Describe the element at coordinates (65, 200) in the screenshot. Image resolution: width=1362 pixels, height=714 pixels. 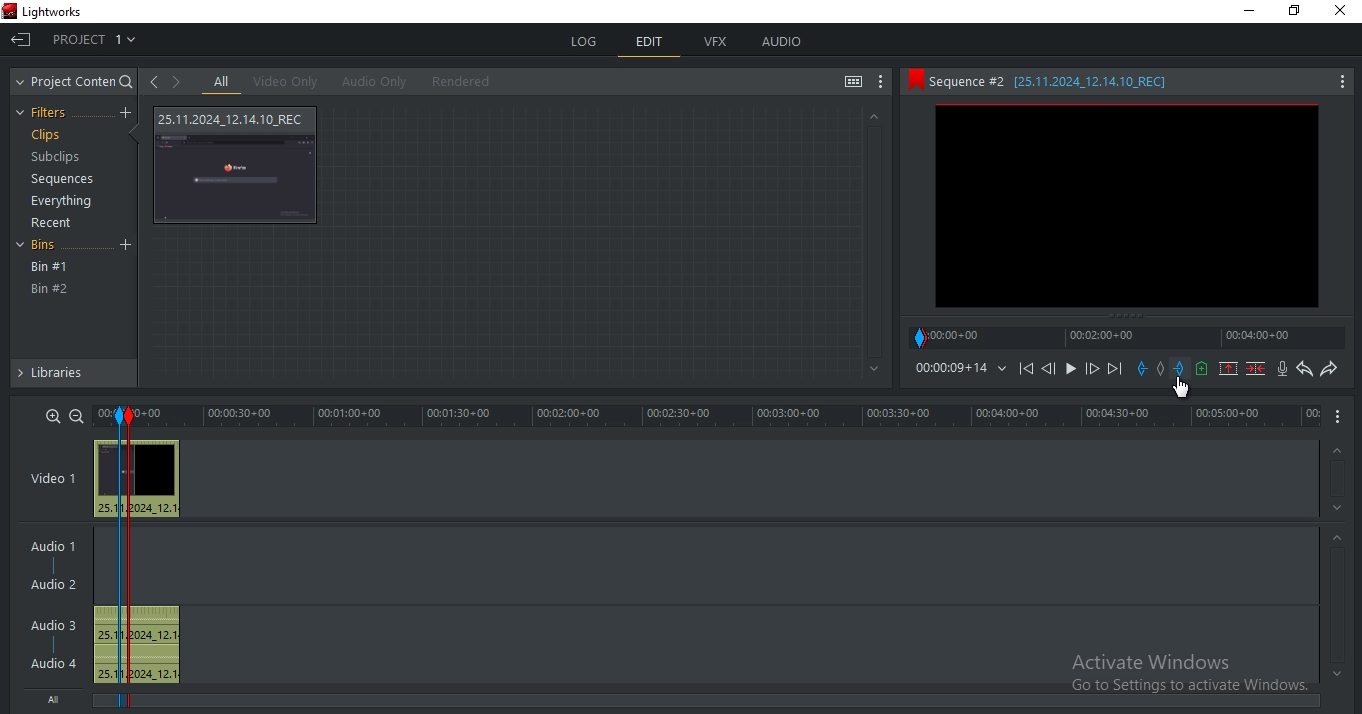
I see `everything` at that location.